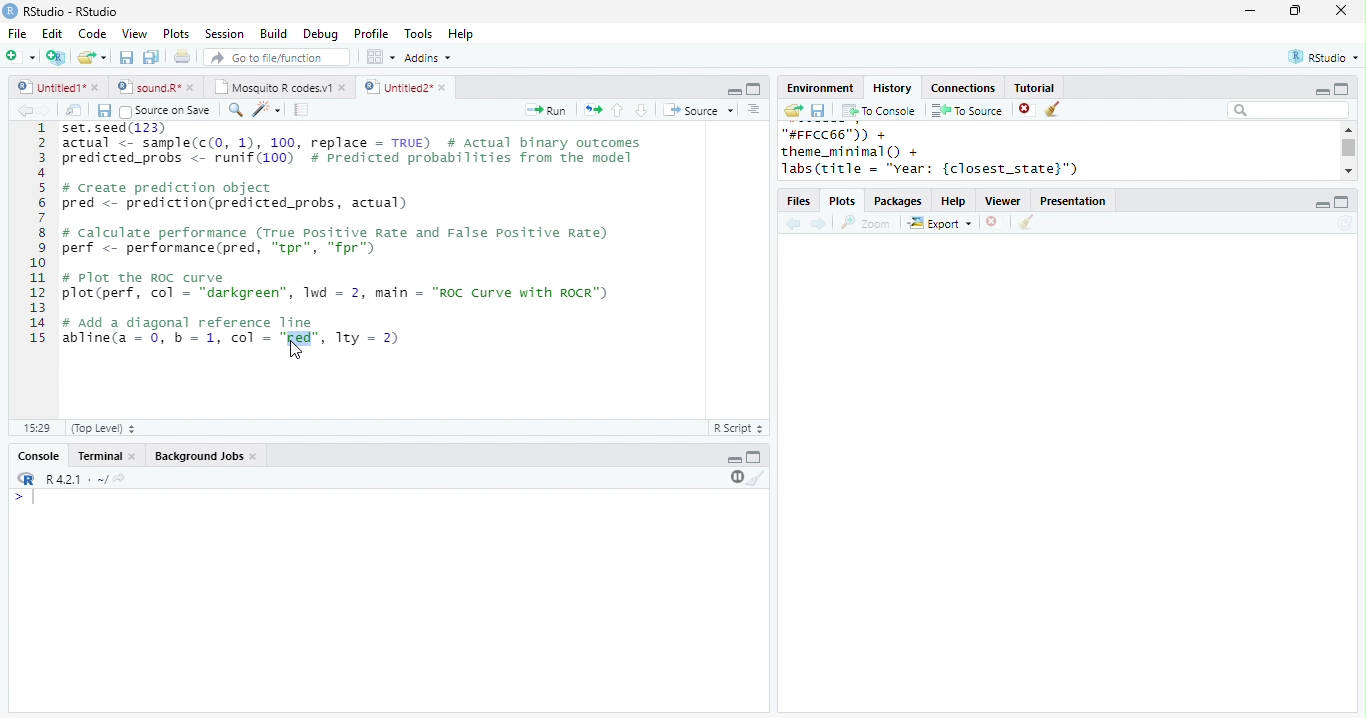 This screenshot has height=718, width=1366. What do you see at coordinates (302, 109) in the screenshot?
I see `compile report` at bounding box center [302, 109].